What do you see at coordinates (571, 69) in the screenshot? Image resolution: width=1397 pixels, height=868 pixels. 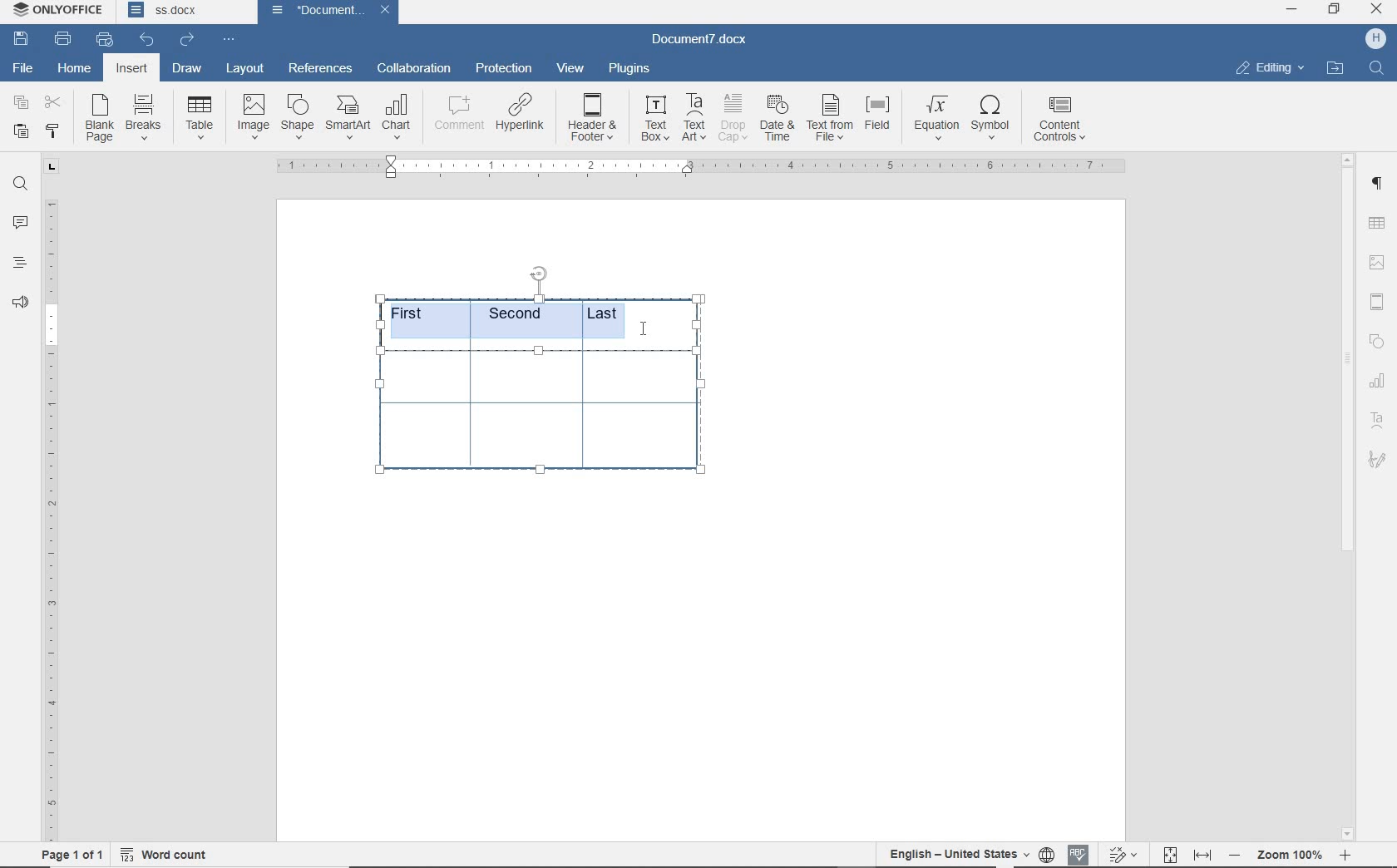 I see `view` at bounding box center [571, 69].